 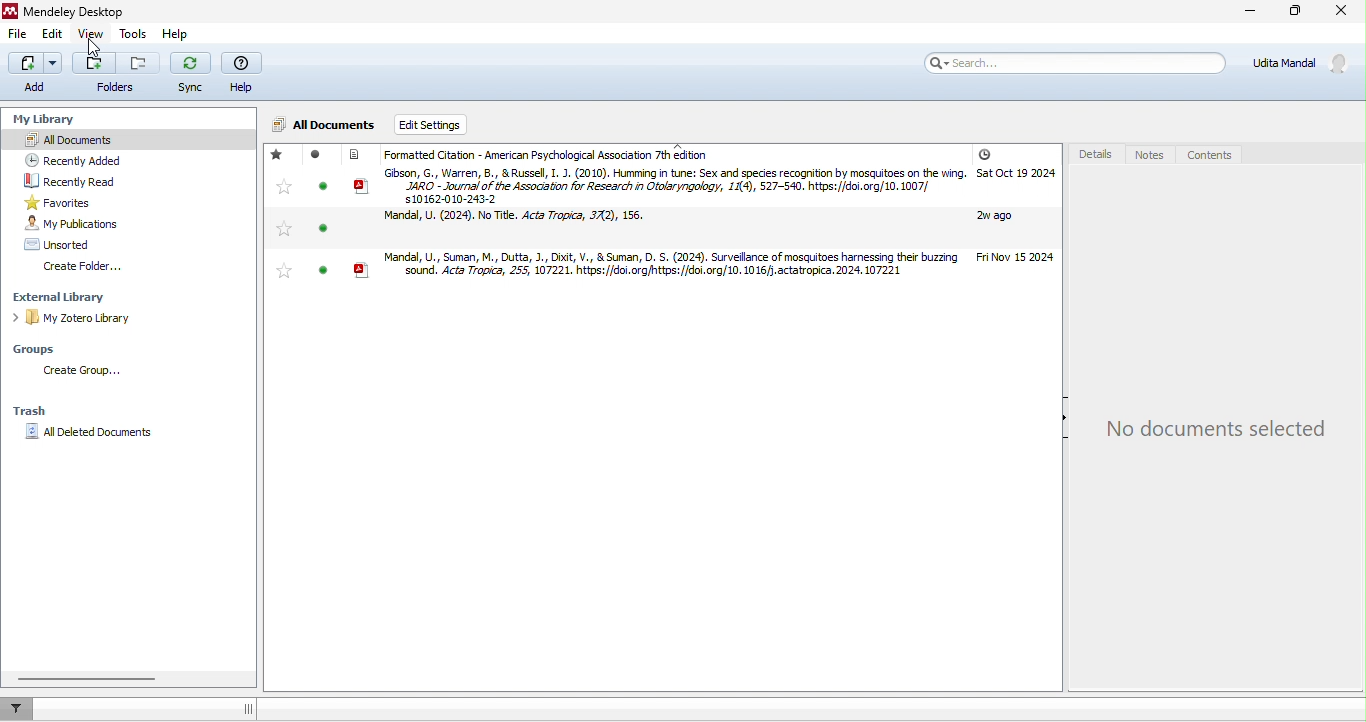 I want to click on horizontal scroll bar, so click(x=88, y=677).